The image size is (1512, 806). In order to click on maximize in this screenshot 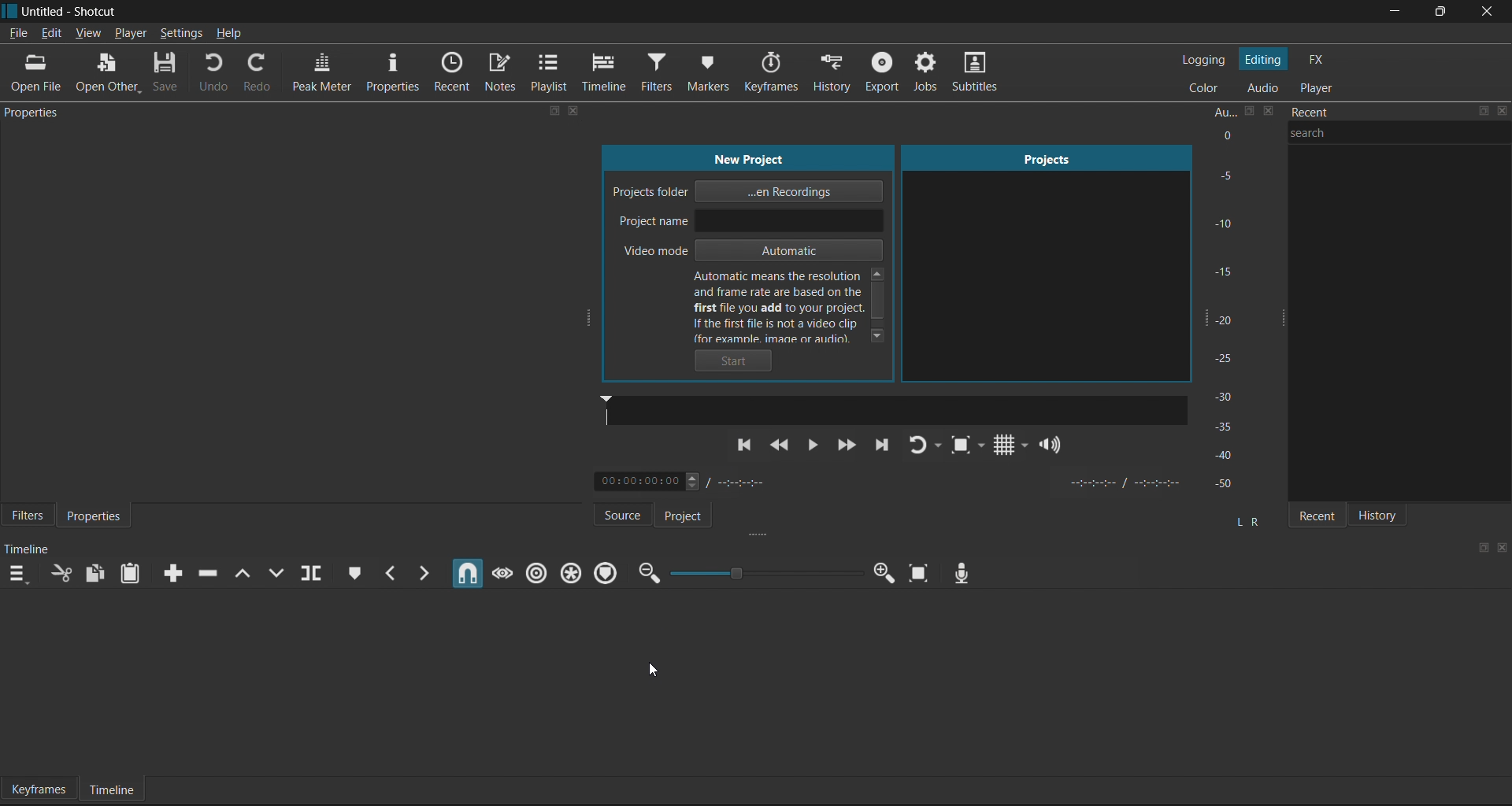, I will do `click(1436, 13)`.